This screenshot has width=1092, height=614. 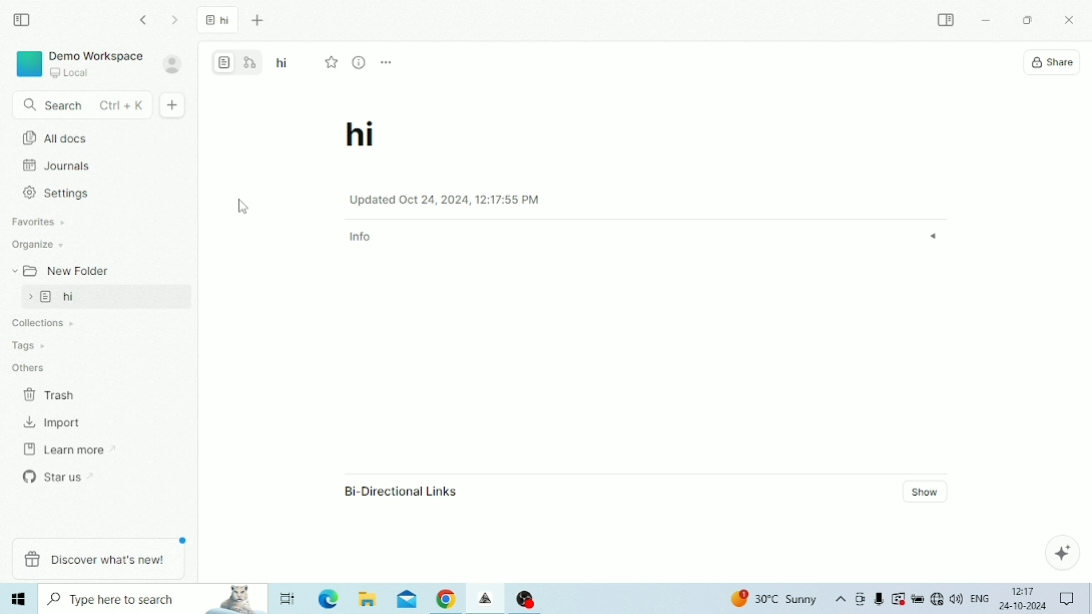 I want to click on Others, so click(x=29, y=366).